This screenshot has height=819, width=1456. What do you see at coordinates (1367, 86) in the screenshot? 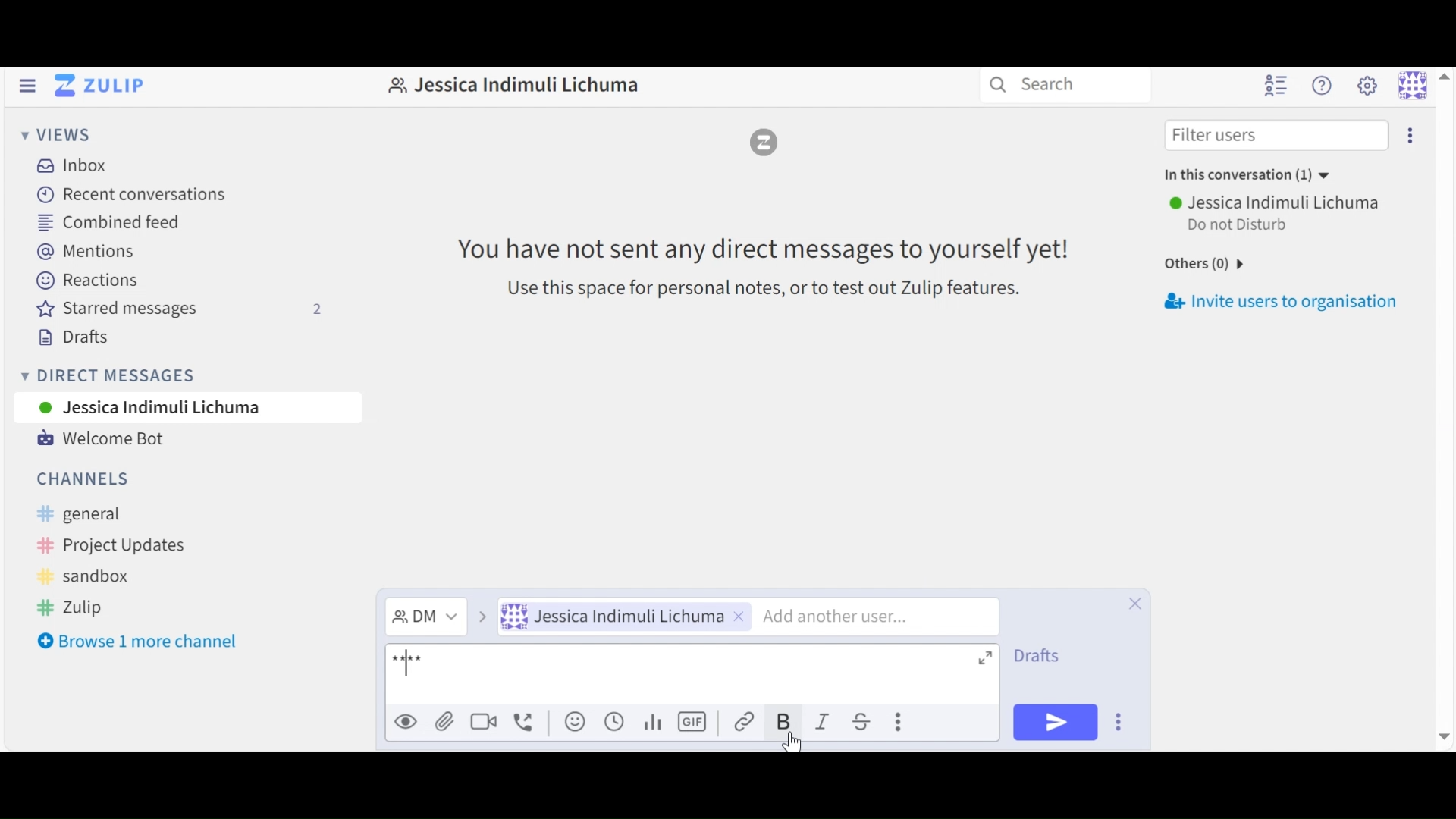
I see `Main menu` at bounding box center [1367, 86].